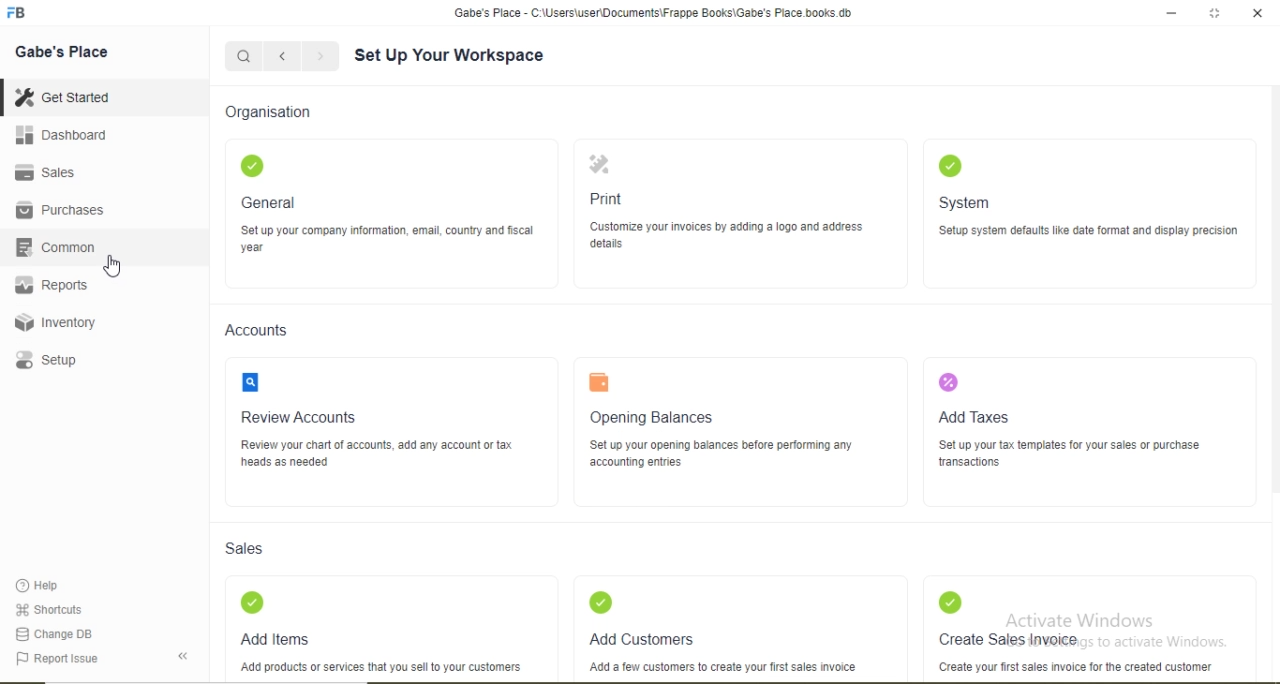 The height and width of the screenshot is (684, 1280). What do you see at coordinates (652, 13) in the screenshot?
I see `‘Gabe's Place - C:\Users\useriDocuments\Frappe Books\Gabe's Place books db` at bounding box center [652, 13].